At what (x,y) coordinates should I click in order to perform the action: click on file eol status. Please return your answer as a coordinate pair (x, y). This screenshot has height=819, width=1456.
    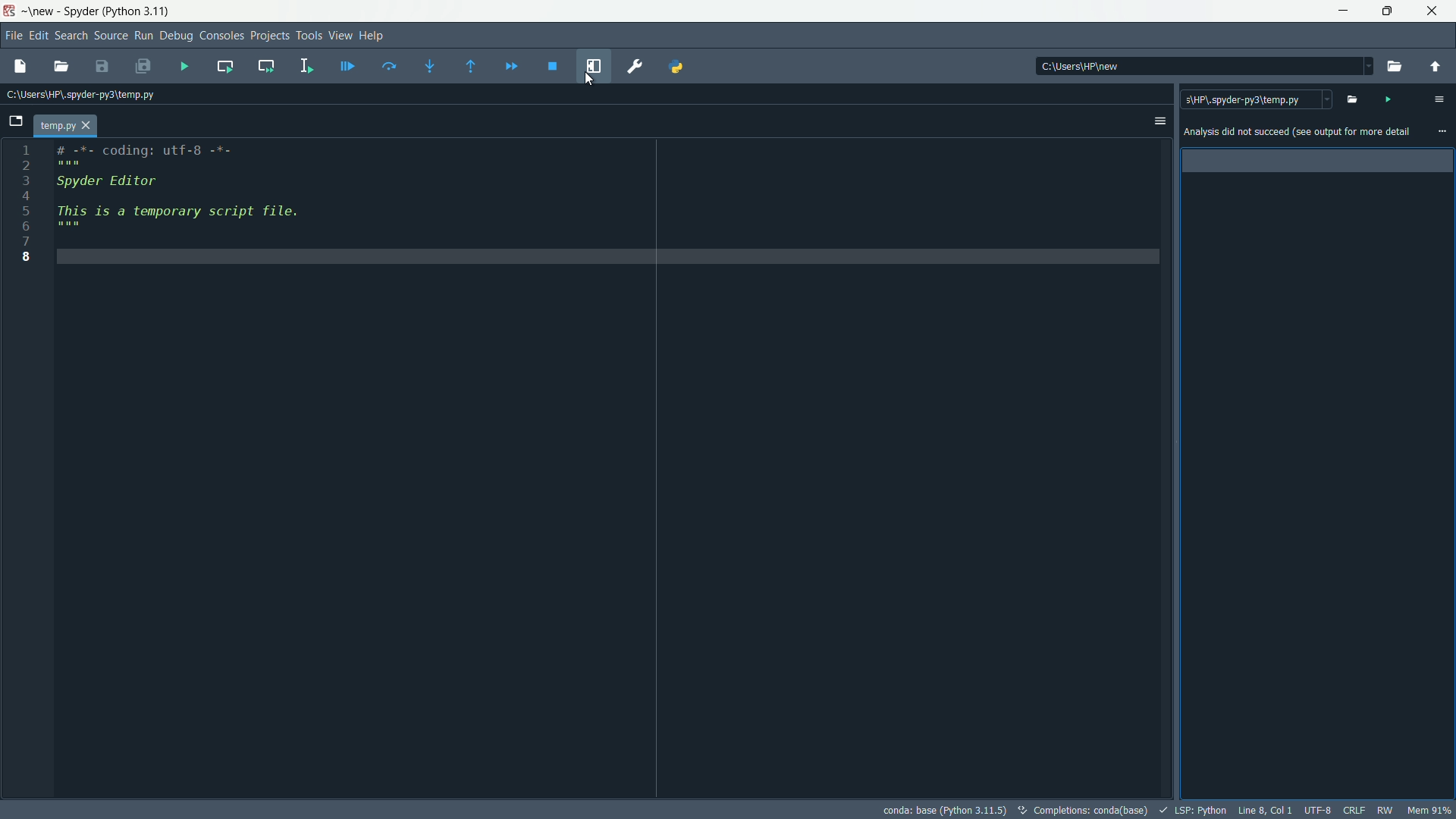
    Looking at the image, I should click on (1354, 810).